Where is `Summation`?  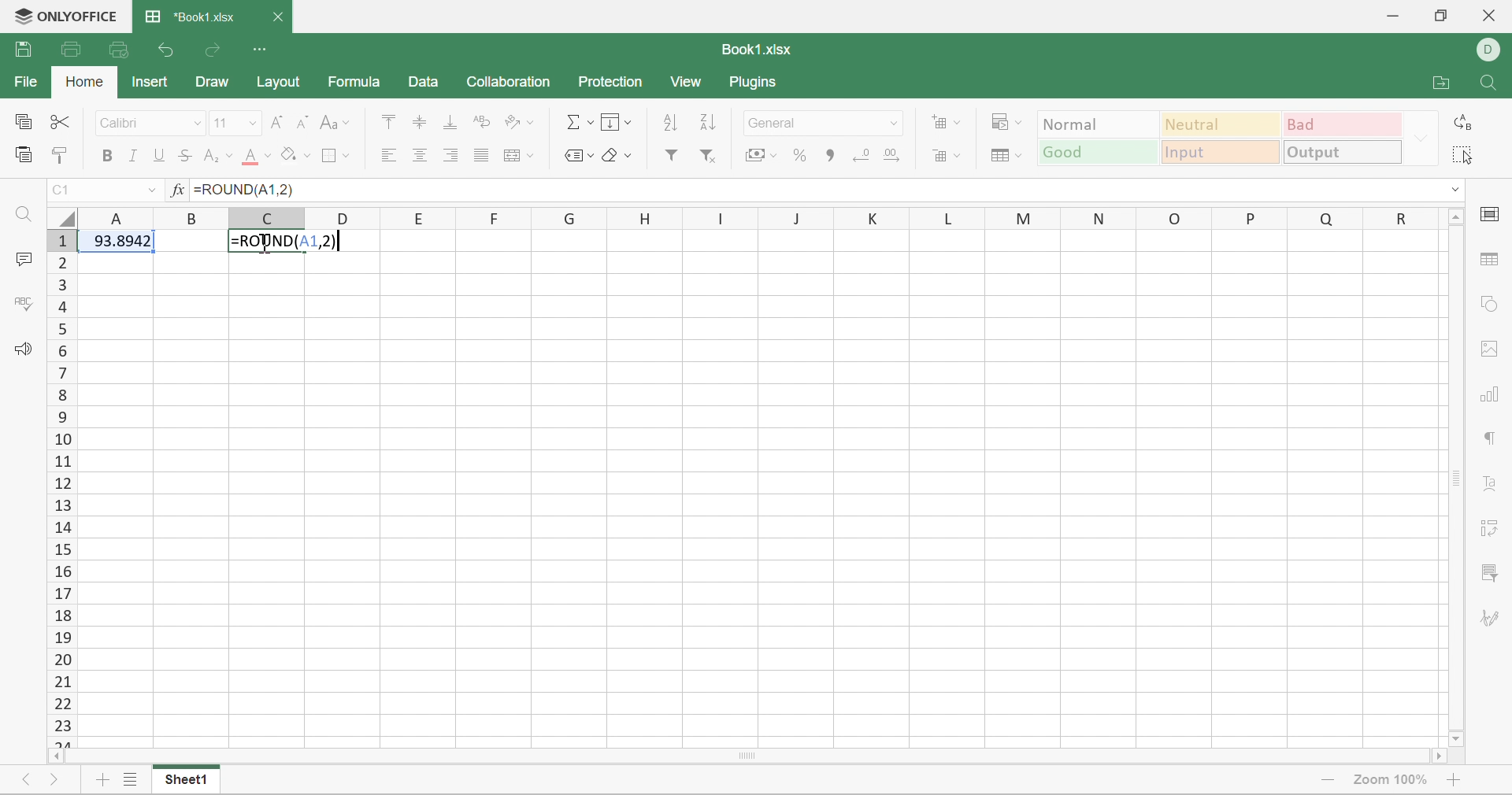
Summation is located at coordinates (580, 121).